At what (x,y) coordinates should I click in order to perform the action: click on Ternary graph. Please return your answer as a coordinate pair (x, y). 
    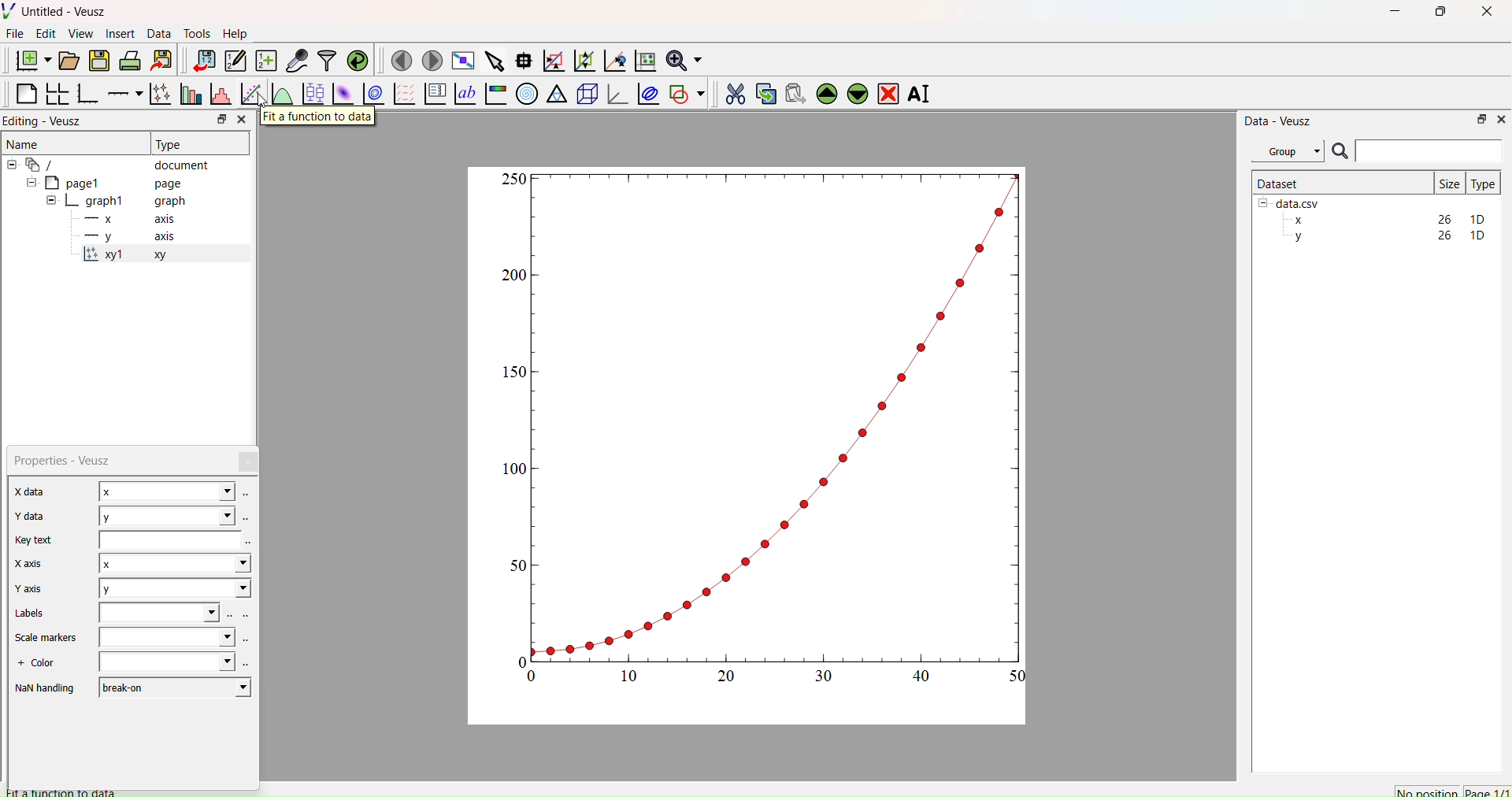
    Looking at the image, I should click on (558, 93).